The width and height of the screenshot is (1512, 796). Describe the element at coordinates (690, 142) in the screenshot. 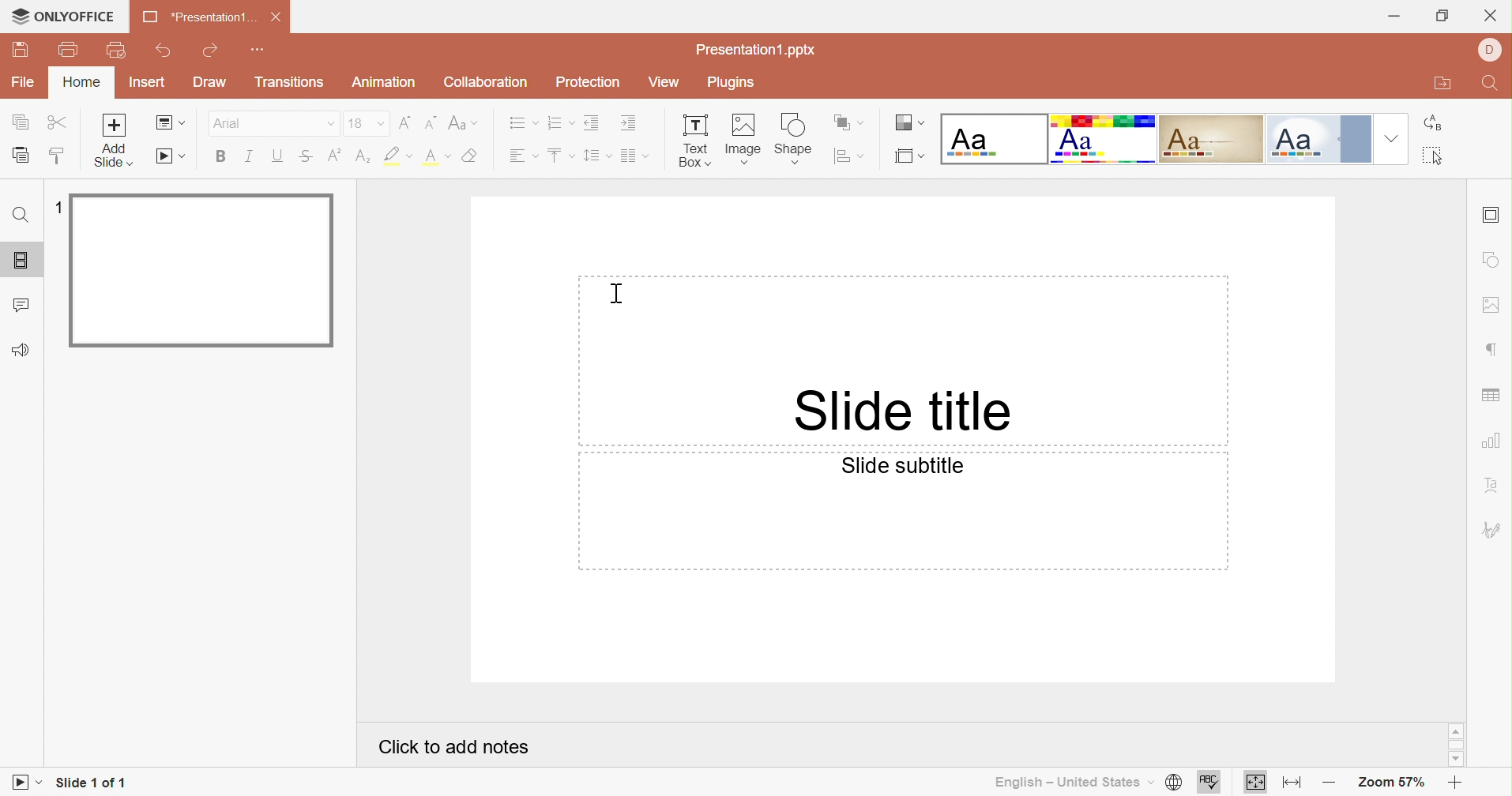

I see `Text Box` at that location.